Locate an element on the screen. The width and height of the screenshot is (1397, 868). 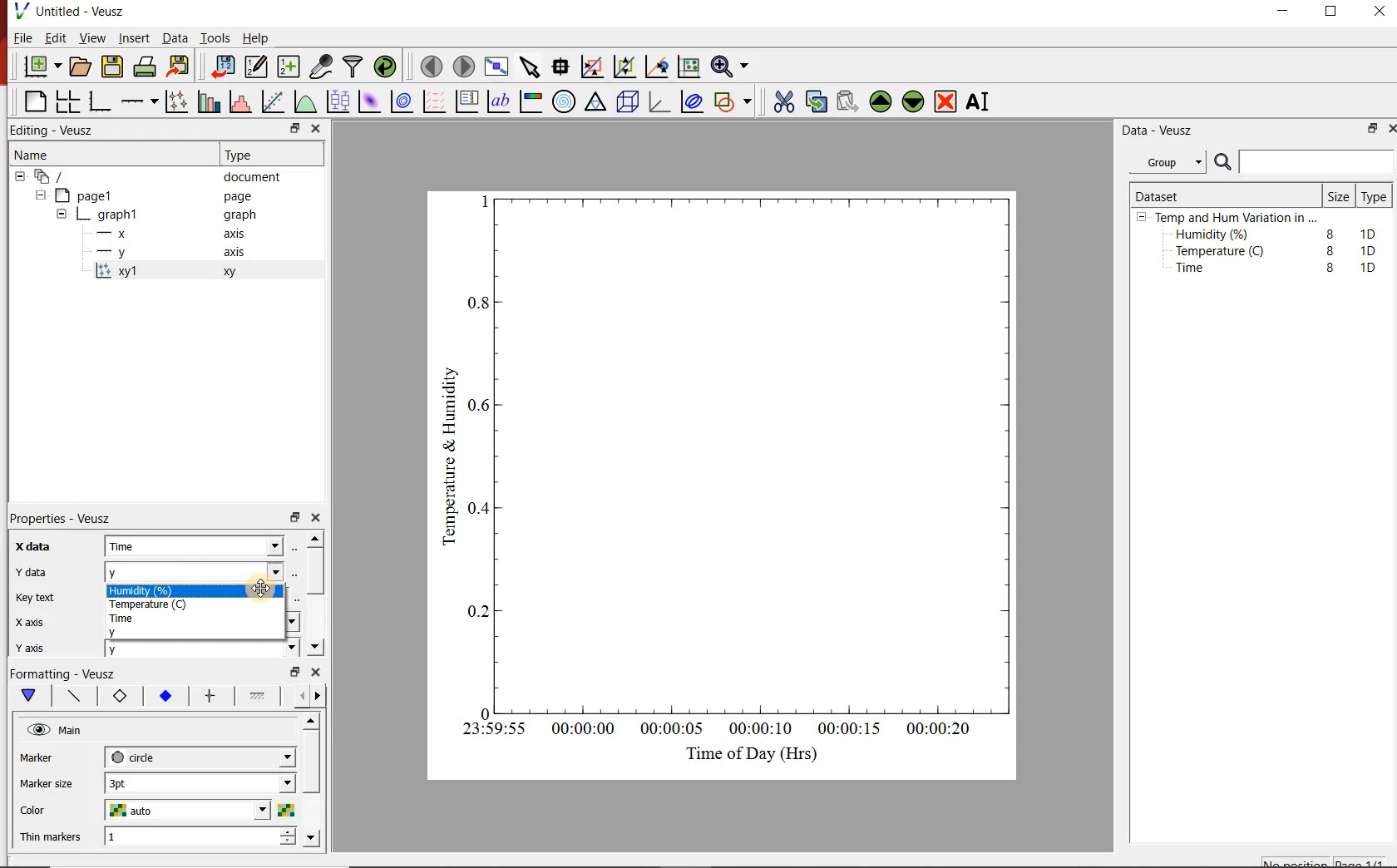
reload linked datasets is located at coordinates (385, 67).